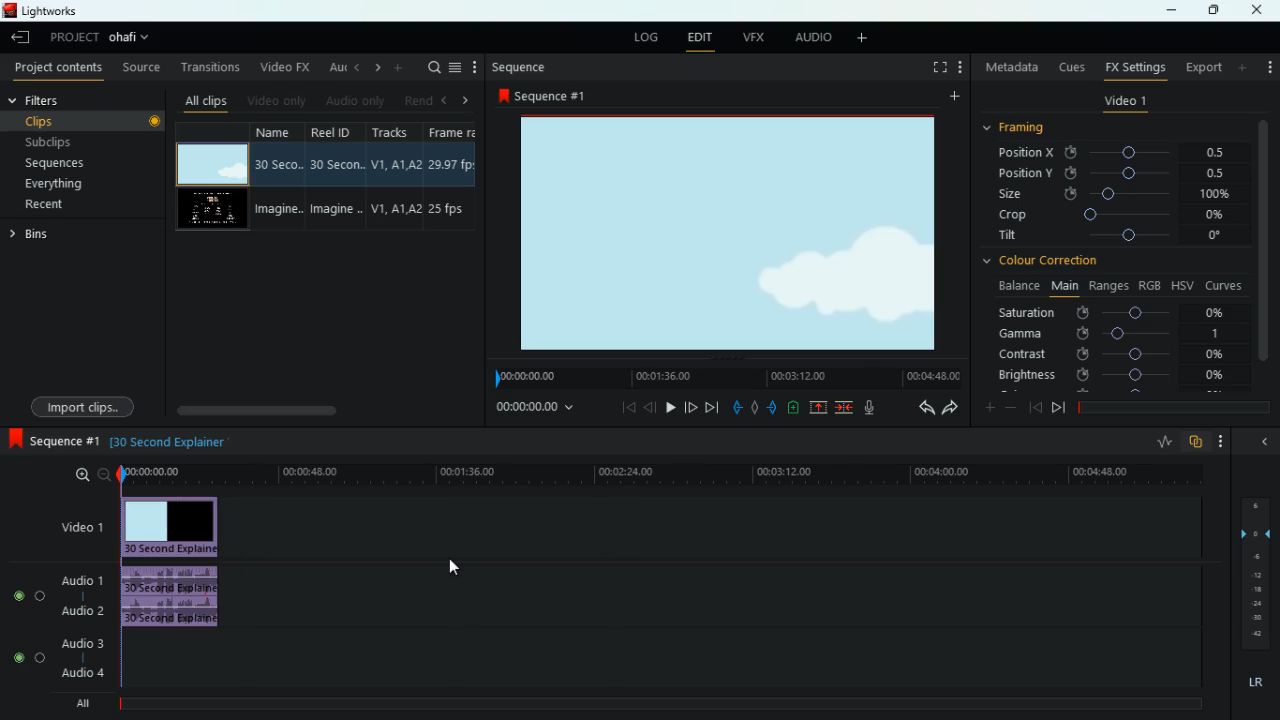 The image size is (1280, 720). What do you see at coordinates (1252, 604) in the screenshot?
I see `-24 (layer)` at bounding box center [1252, 604].